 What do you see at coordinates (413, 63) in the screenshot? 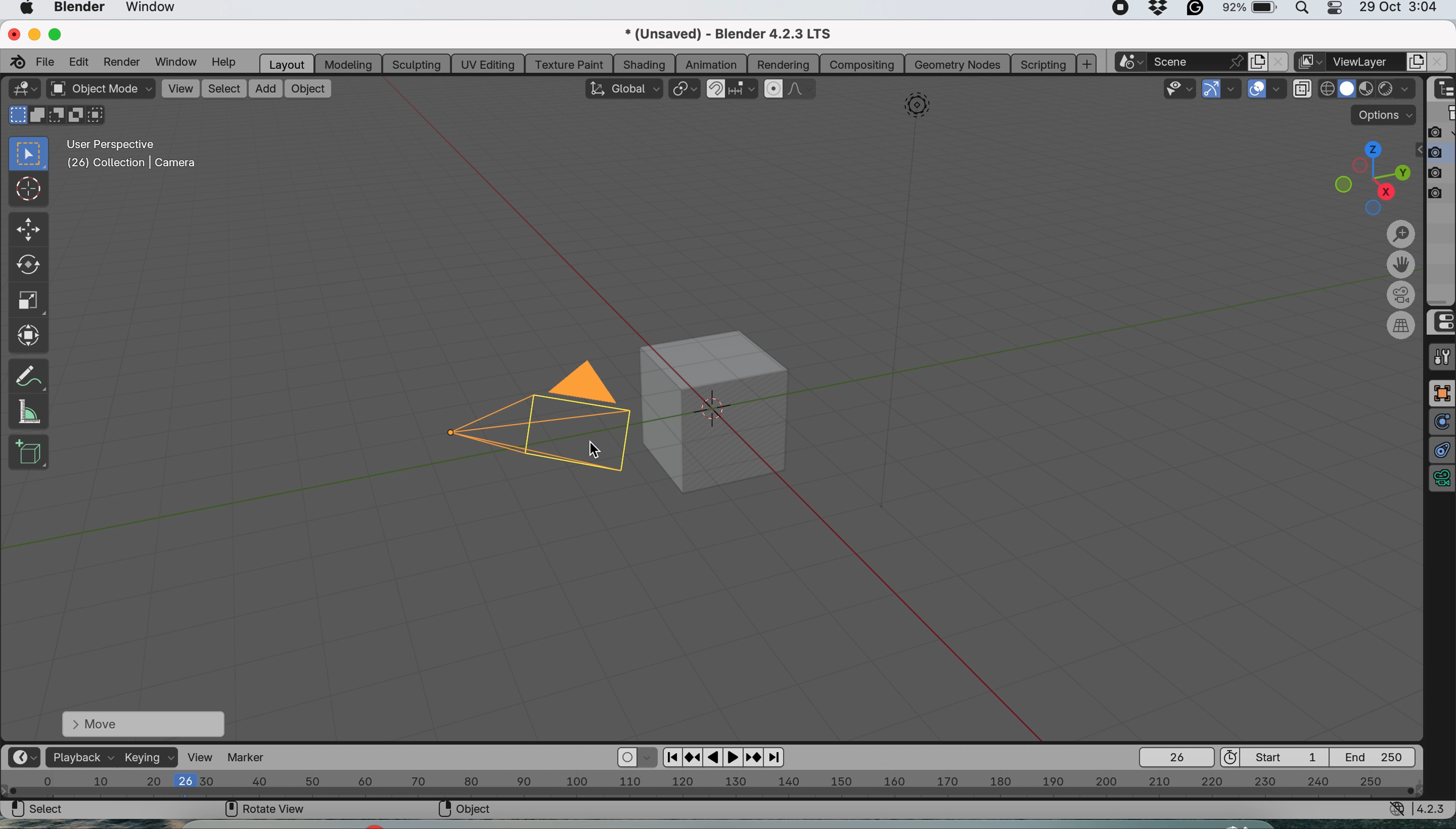
I see `sculpting` at bounding box center [413, 63].